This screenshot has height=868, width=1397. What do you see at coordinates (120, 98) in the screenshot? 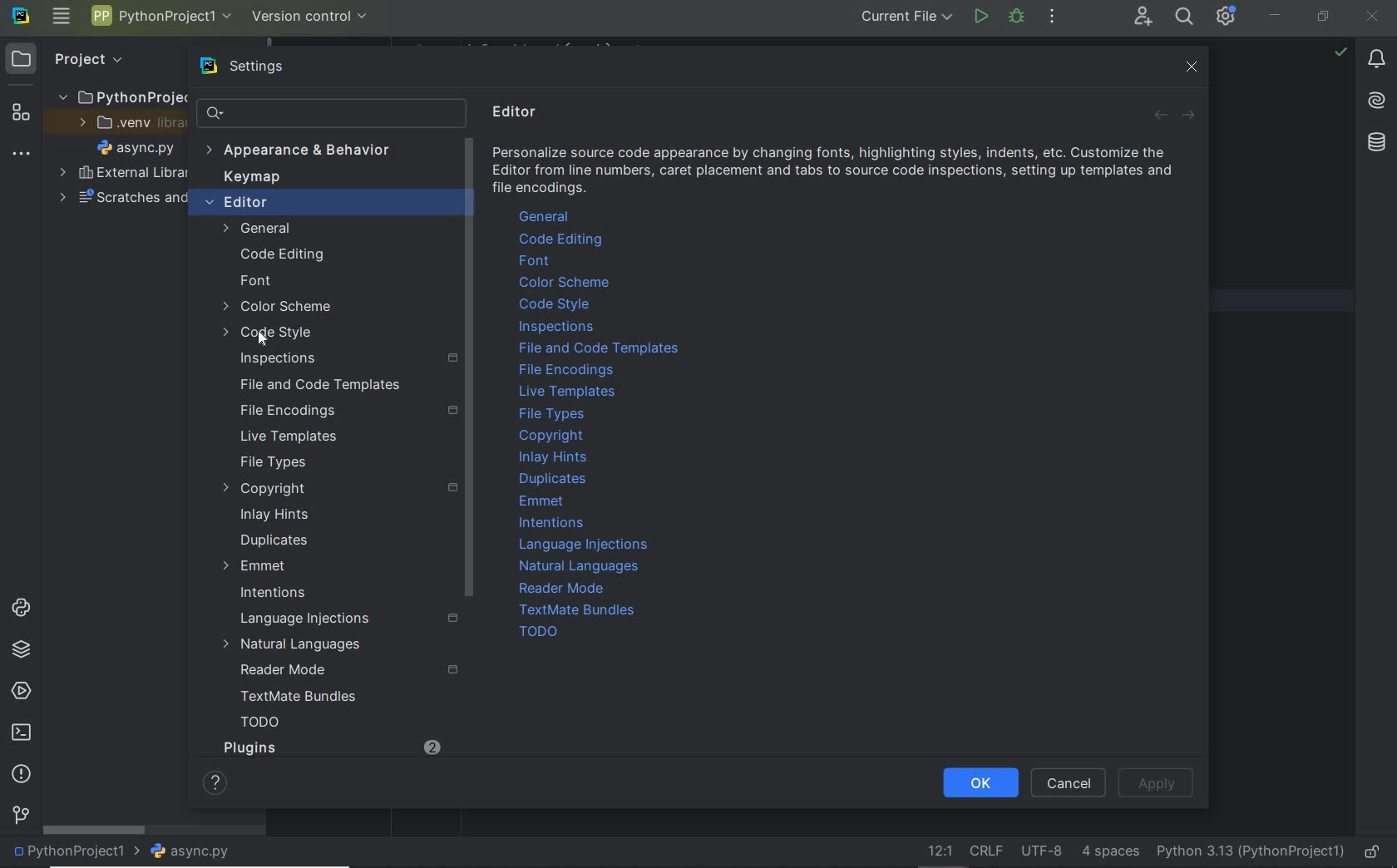
I see `project folder` at bounding box center [120, 98].